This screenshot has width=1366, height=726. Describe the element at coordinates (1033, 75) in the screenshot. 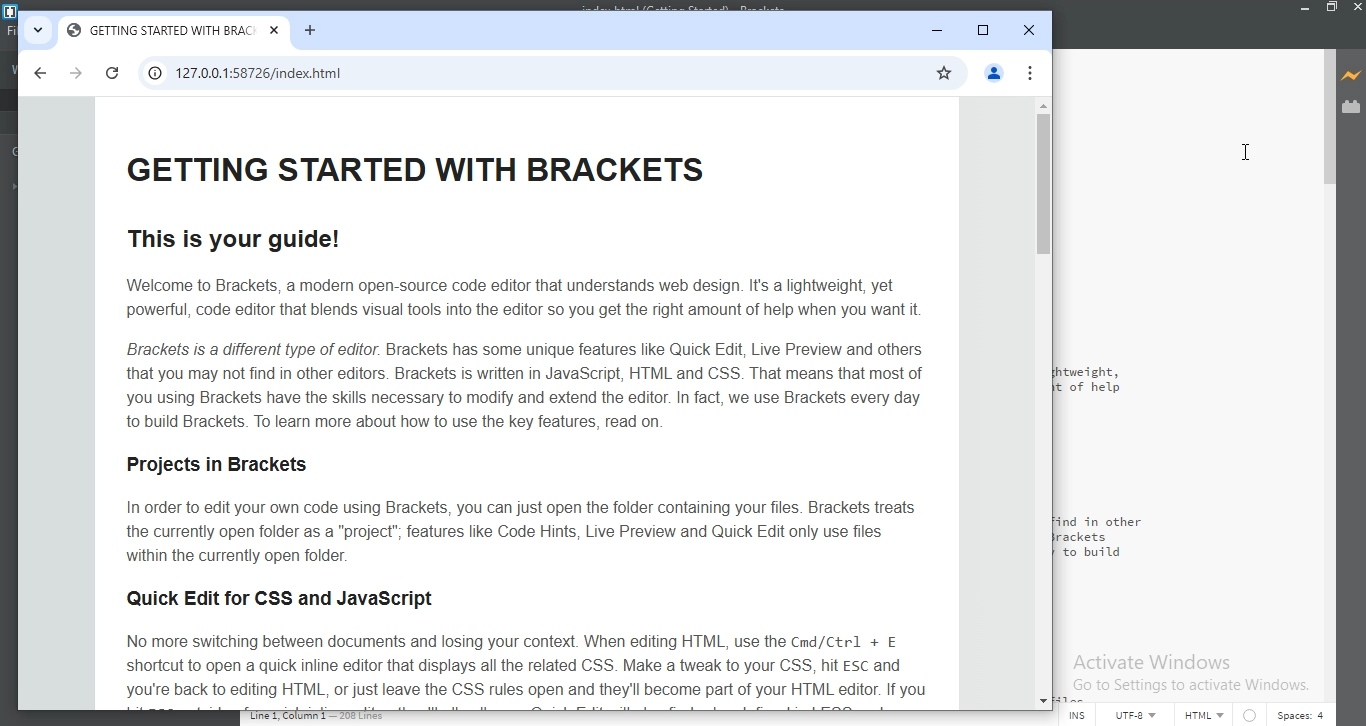

I see `options` at that location.